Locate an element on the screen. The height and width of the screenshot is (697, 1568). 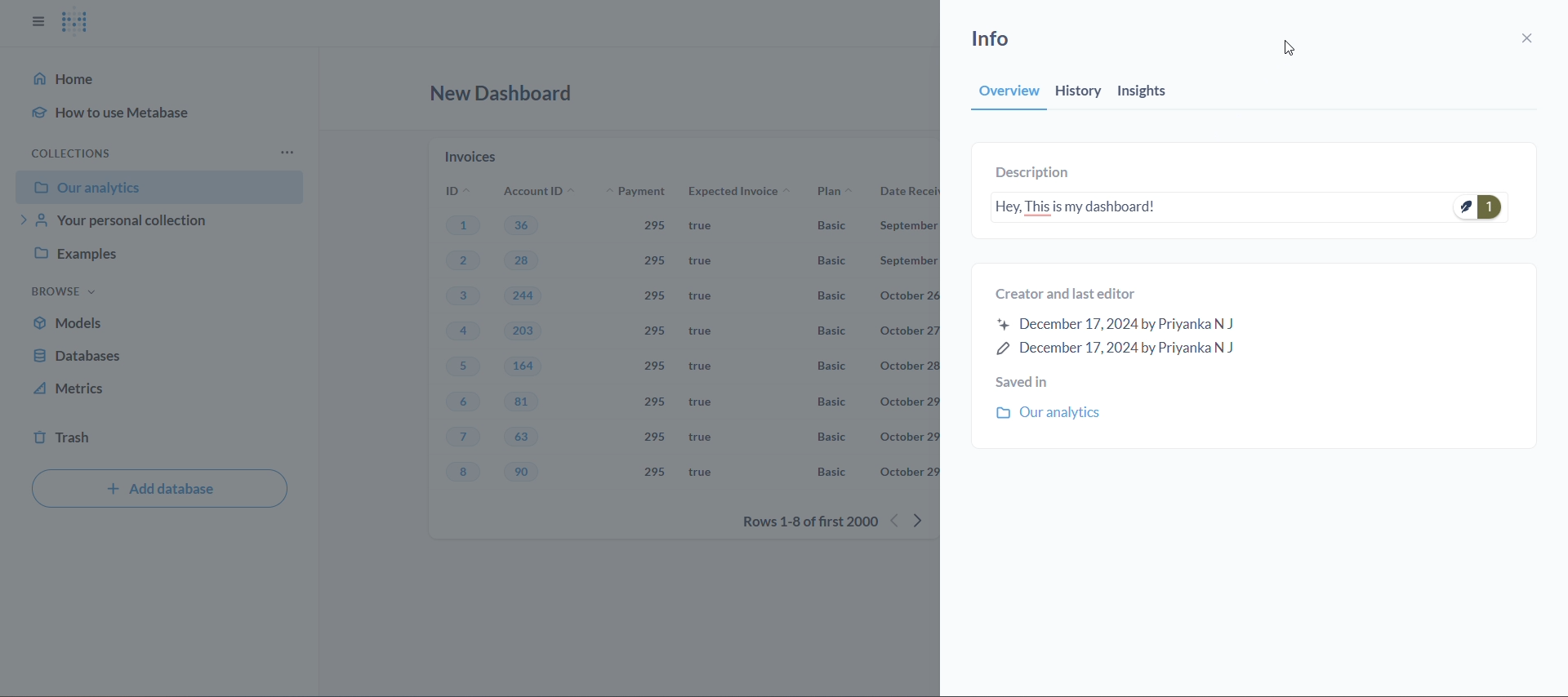
insights is located at coordinates (1155, 93).